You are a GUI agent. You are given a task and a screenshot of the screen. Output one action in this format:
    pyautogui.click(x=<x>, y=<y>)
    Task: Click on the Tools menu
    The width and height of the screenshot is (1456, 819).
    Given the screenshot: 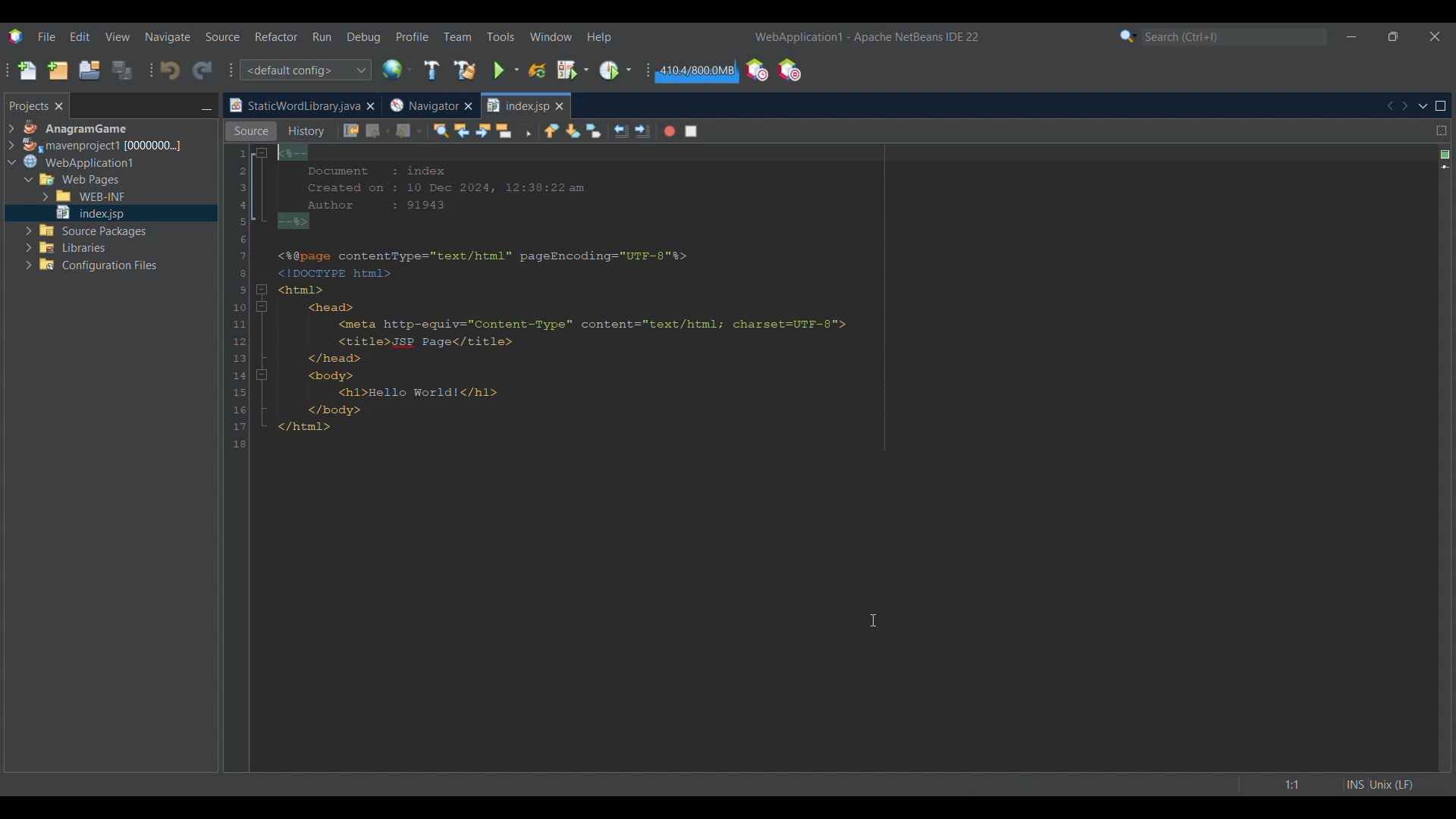 What is the action you would take?
    pyautogui.click(x=500, y=36)
    